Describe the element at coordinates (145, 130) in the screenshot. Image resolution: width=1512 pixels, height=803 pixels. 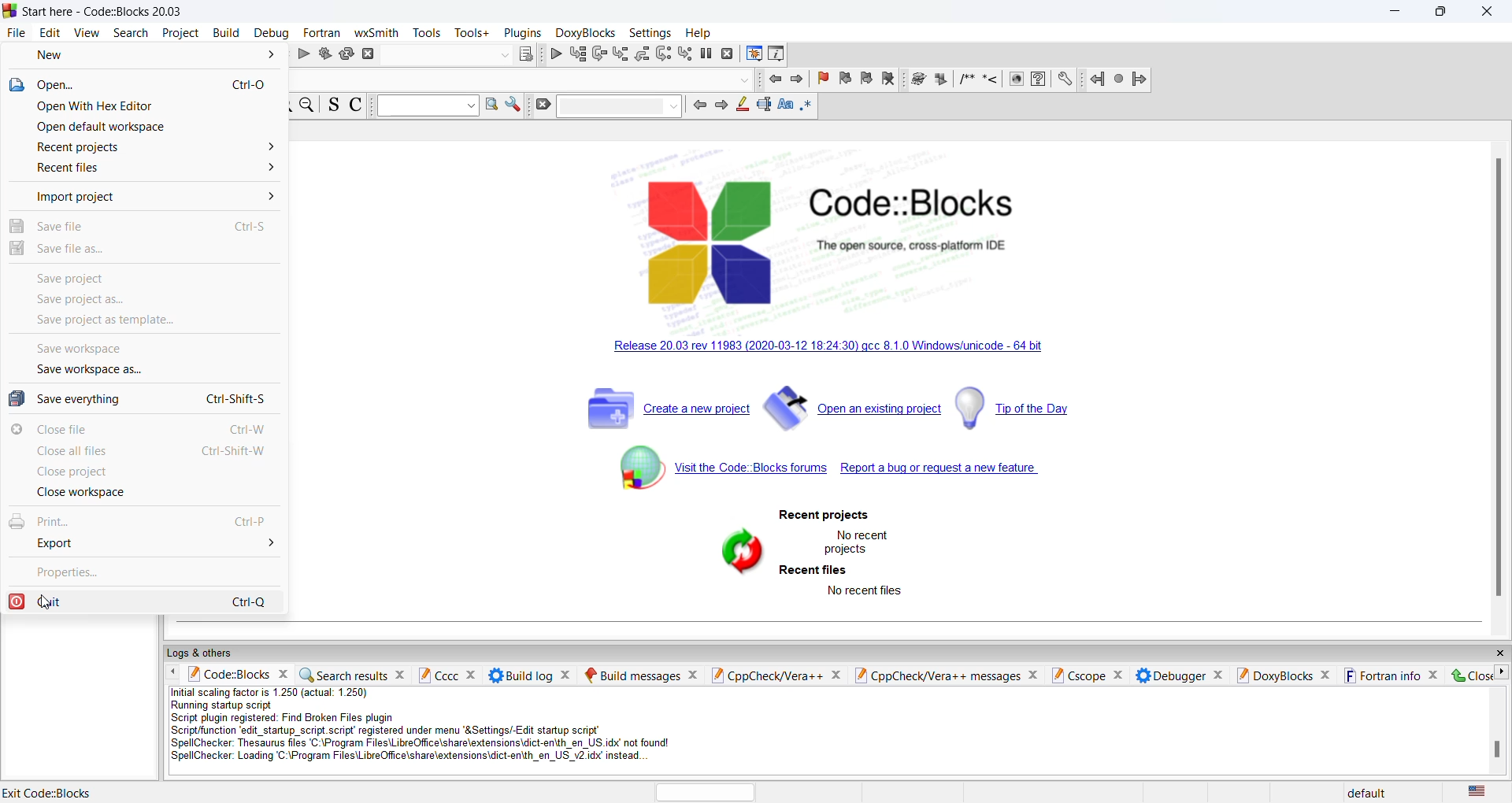
I see `open default workspace` at that location.